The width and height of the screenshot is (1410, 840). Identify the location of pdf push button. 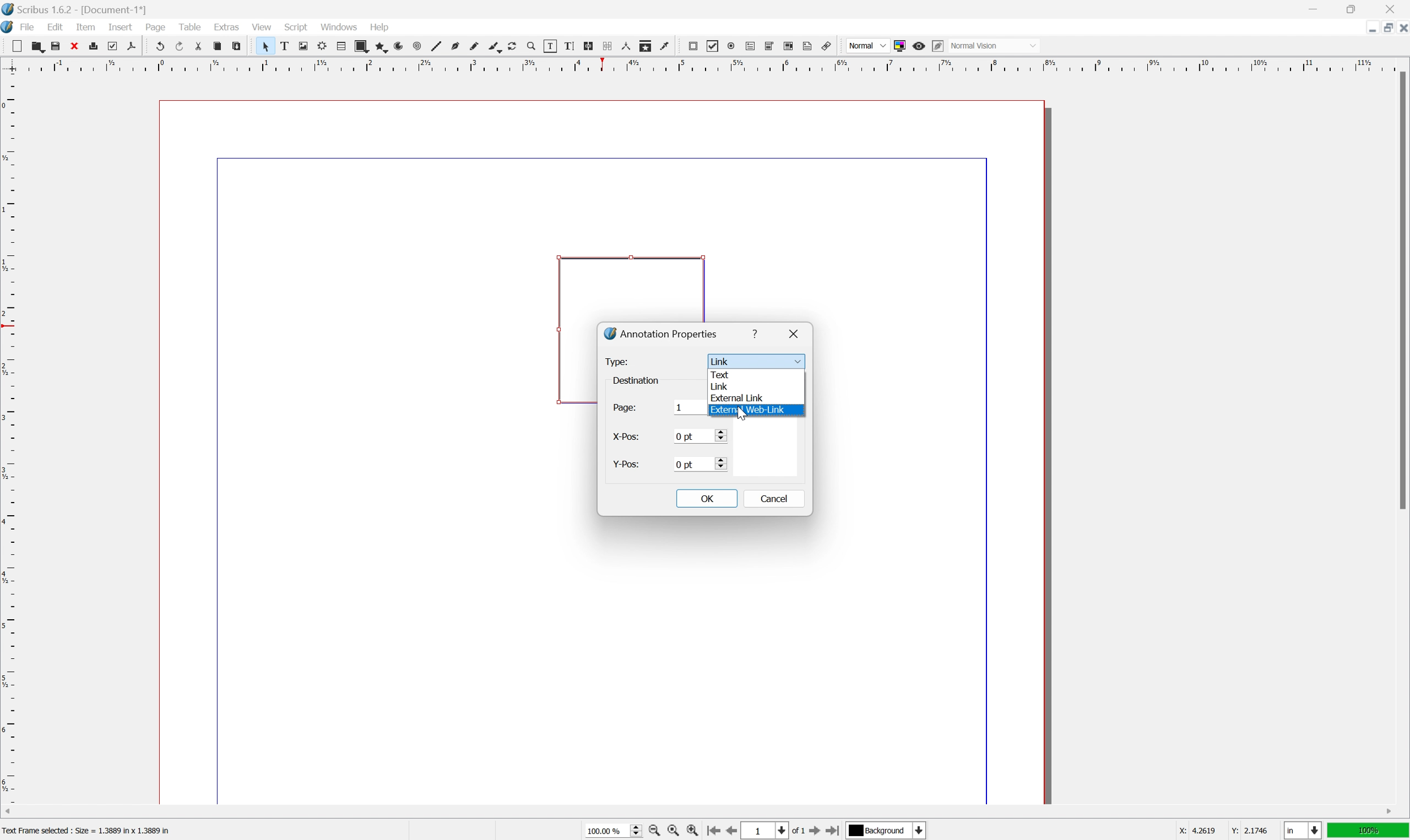
(693, 46).